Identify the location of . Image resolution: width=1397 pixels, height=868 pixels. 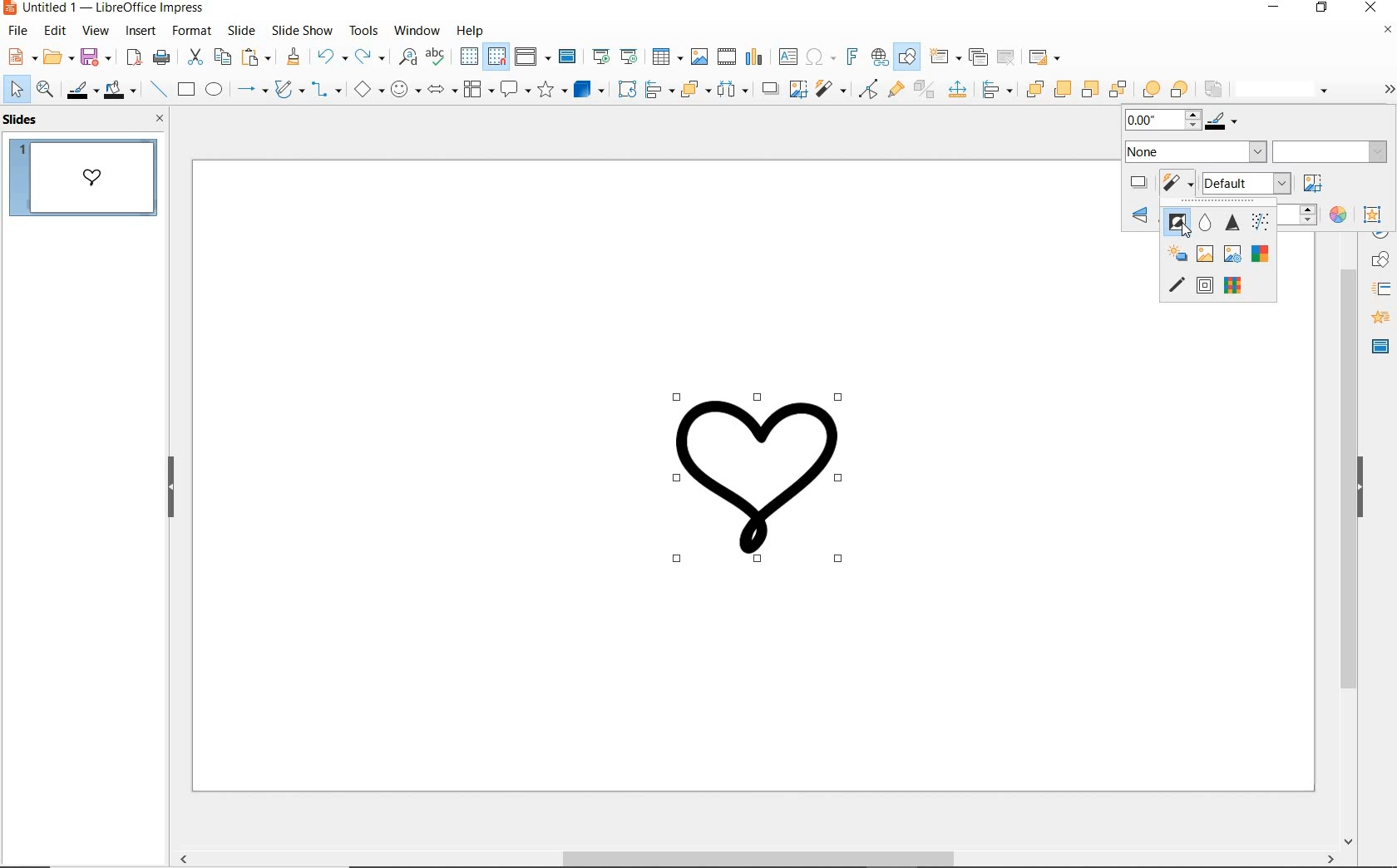
(1377, 348).